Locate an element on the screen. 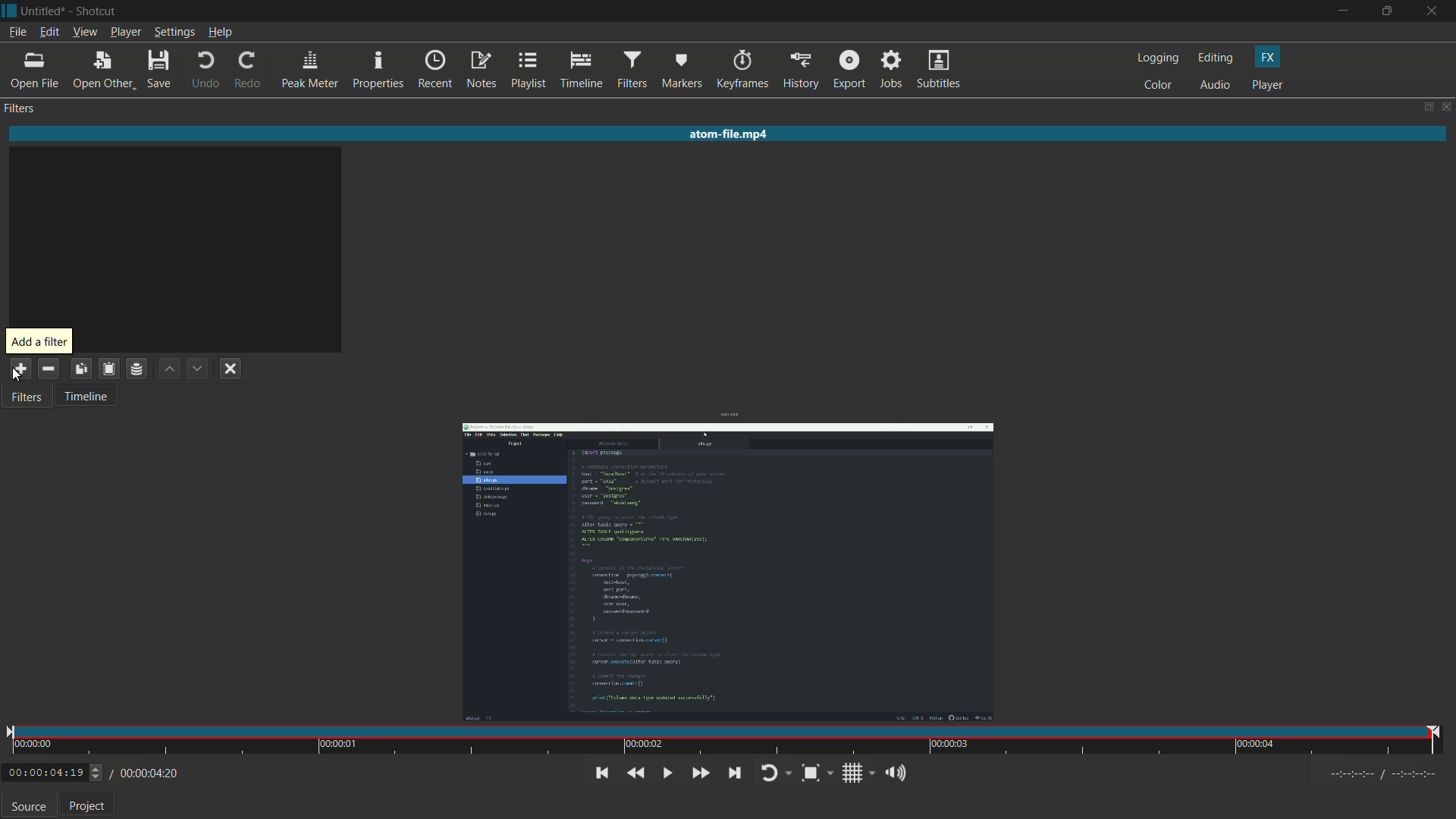  fx is located at coordinates (1268, 58).